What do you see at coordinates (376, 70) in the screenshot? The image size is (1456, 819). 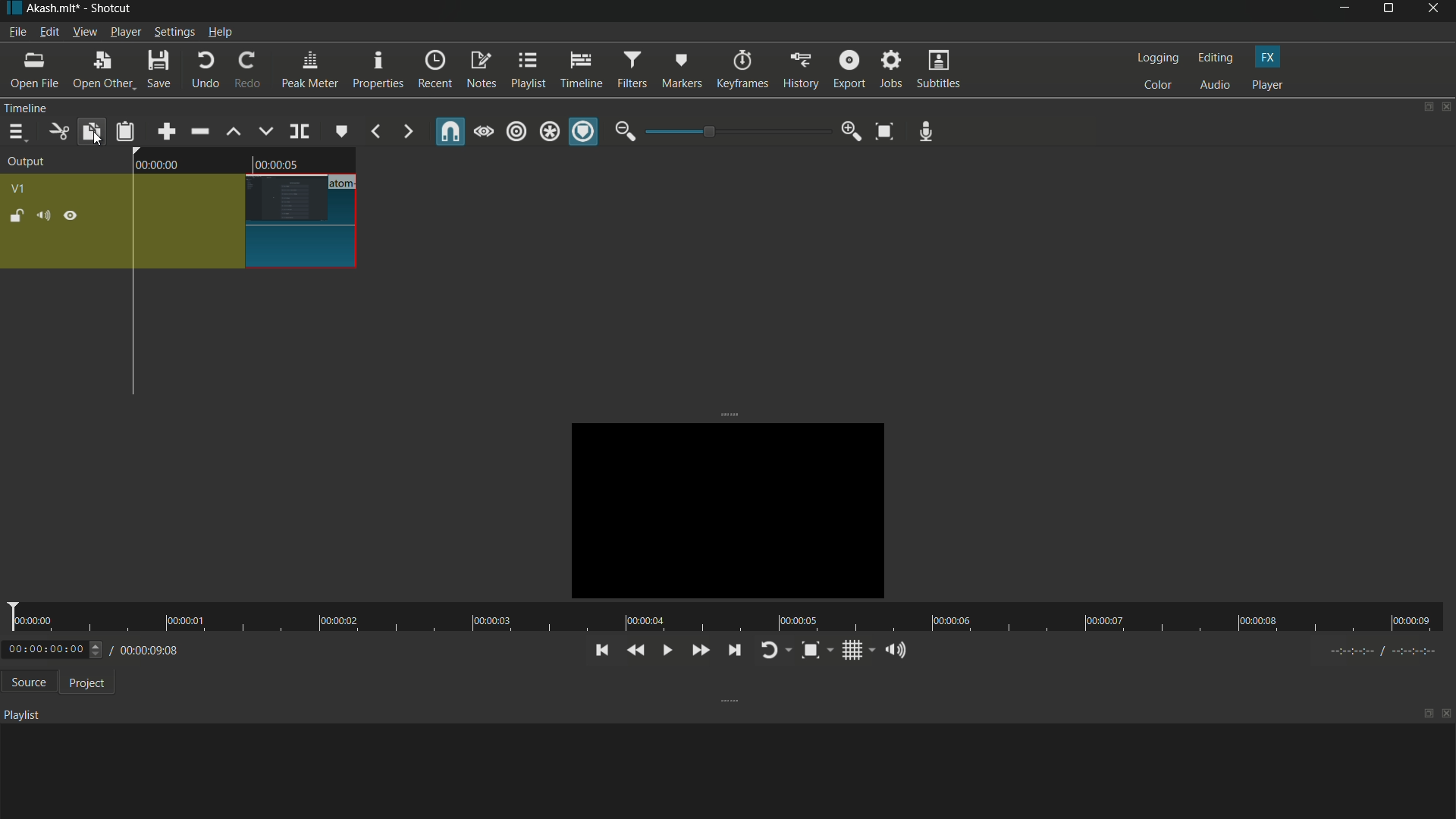 I see `properties` at bounding box center [376, 70].